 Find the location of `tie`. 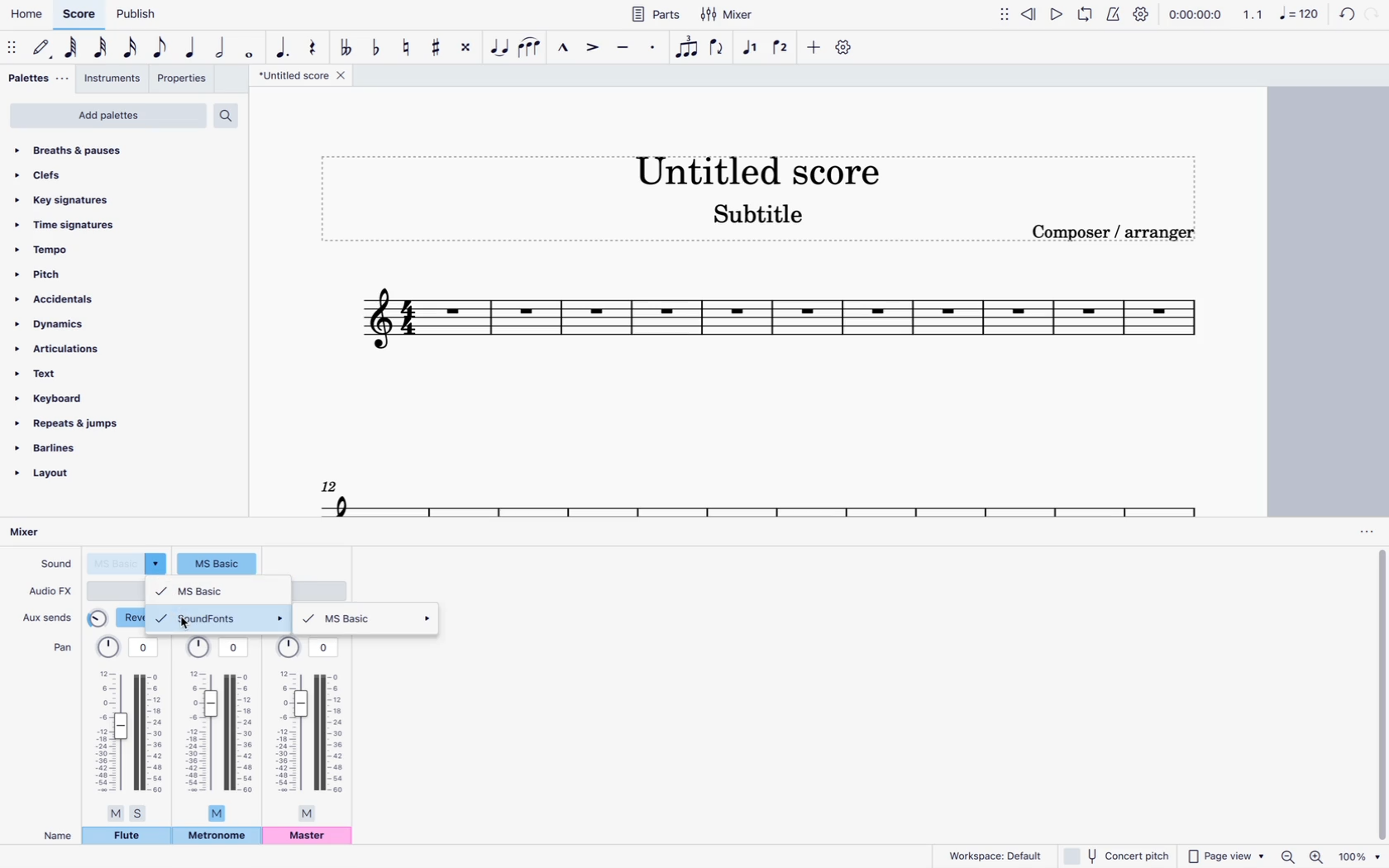

tie is located at coordinates (501, 46).